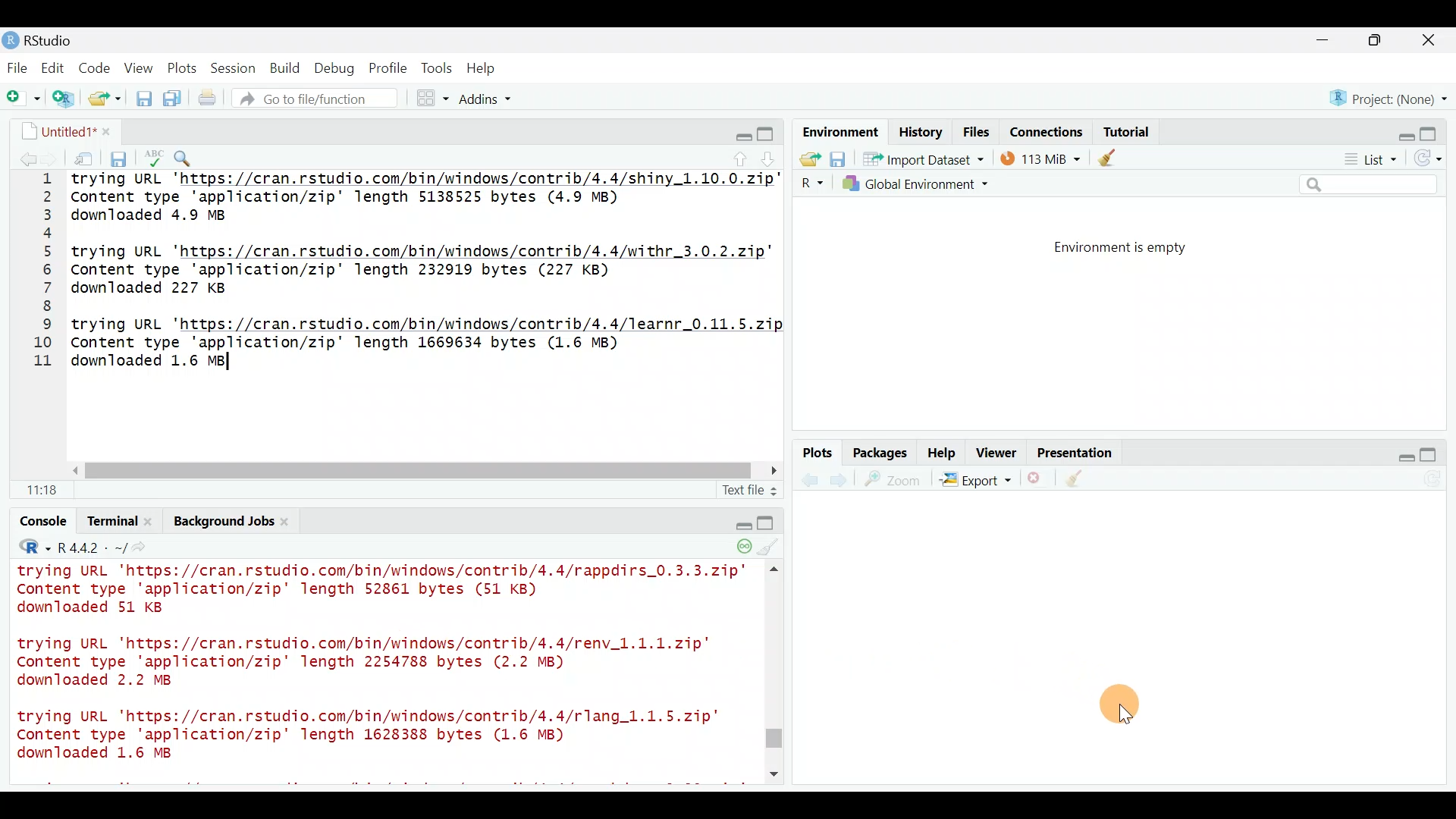 Image resolution: width=1456 pixels, height=819 pixels. What do you see at coordinates (1125, 129) in the screenshot?
I see `Tutorial` at bounding box center [1125, 129].